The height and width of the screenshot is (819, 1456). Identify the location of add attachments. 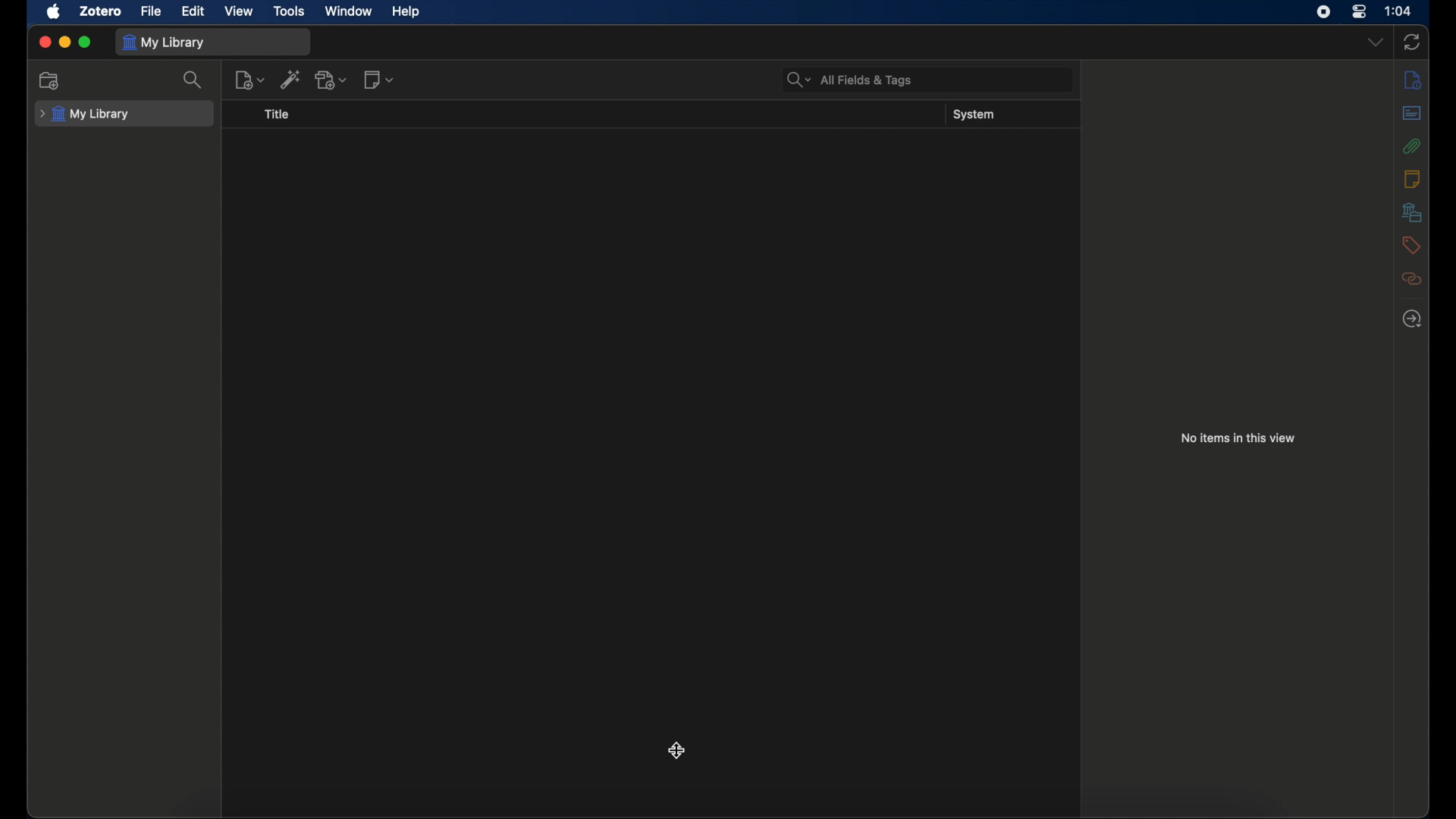
(332, 81).